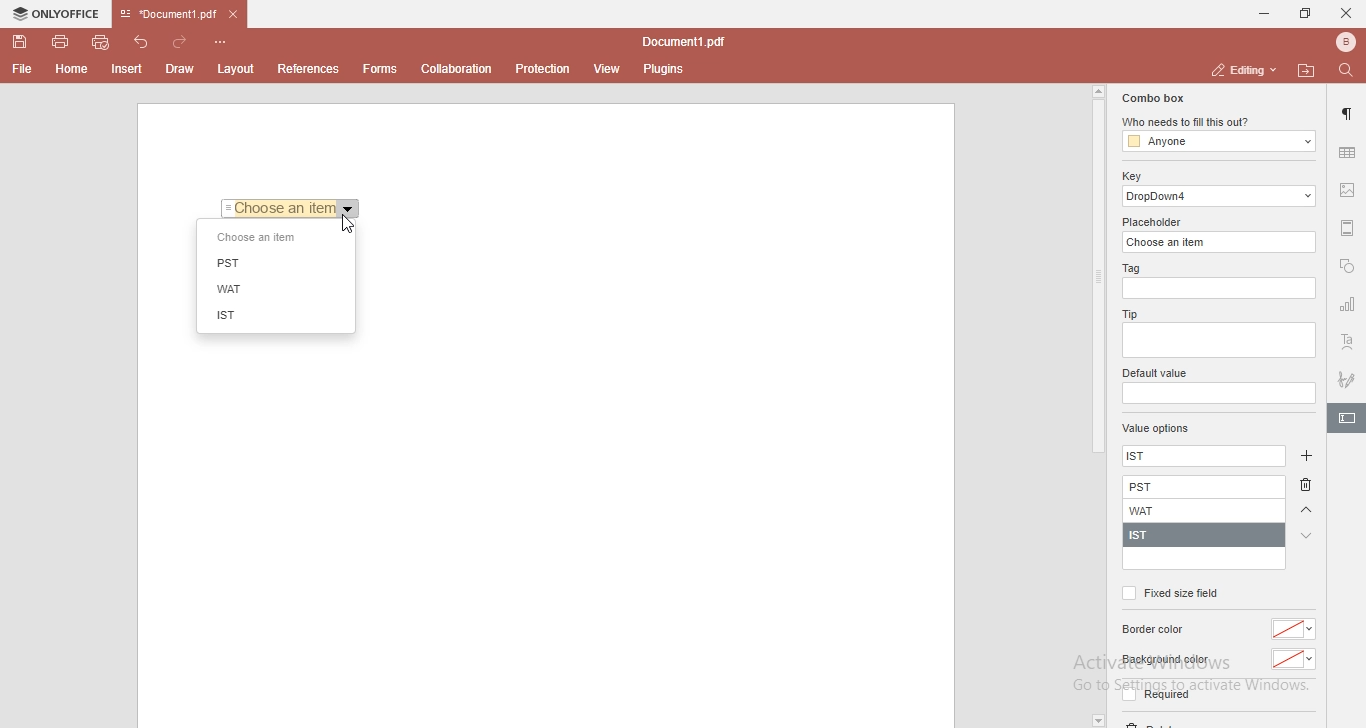  Describe the element at coordinates (239, 69) in the screenshot. I see `layout` at that location.